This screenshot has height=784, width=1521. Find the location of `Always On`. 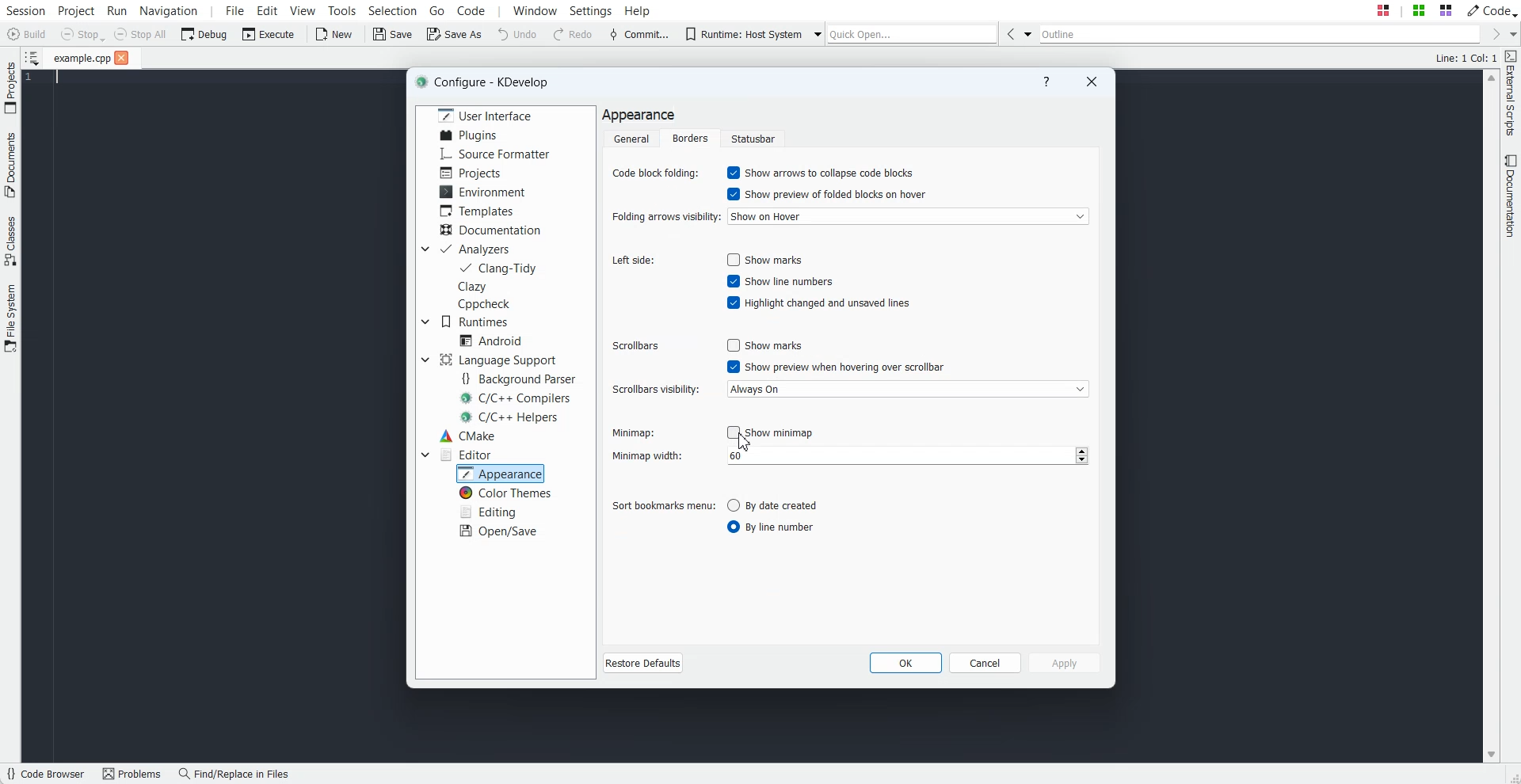

Always On is located at coordinates (908, 388).